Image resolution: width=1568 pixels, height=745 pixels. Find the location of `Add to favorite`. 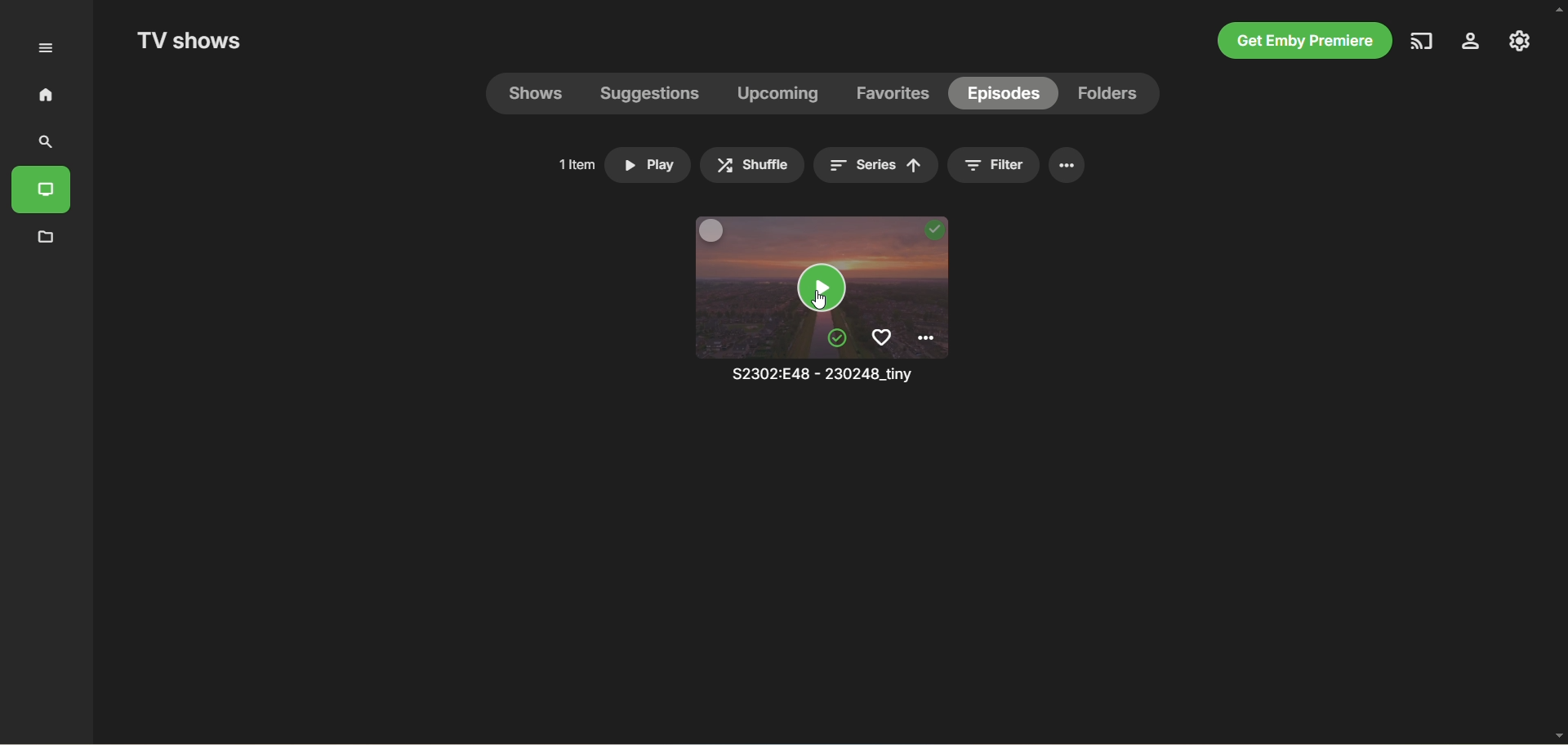

Add to favorite is located at coordinates (881, 337).